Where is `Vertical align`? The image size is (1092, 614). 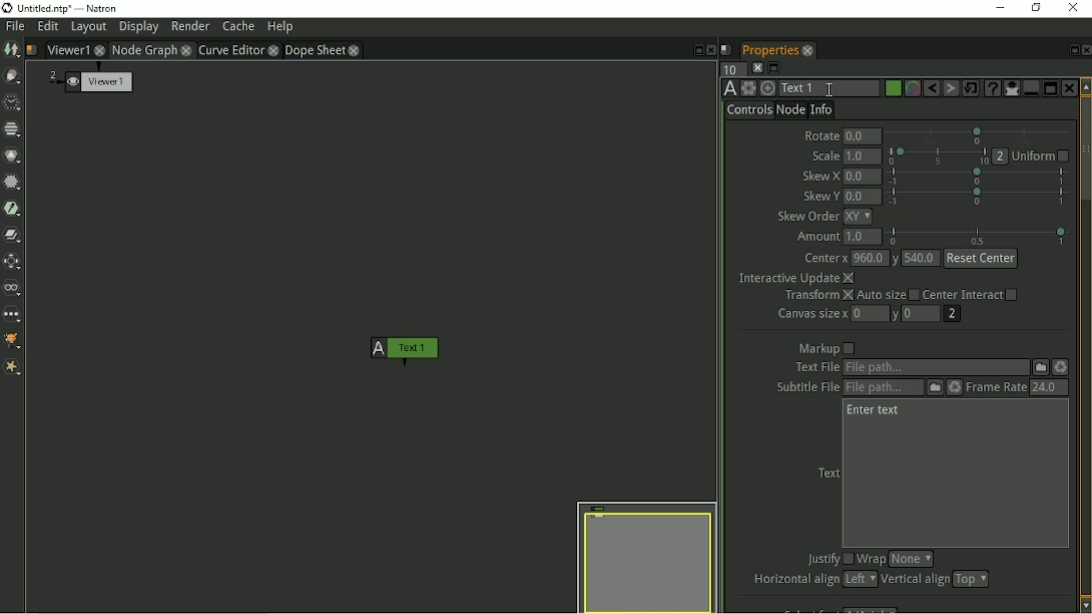 Vertical align is located at coordinates (914, 580).